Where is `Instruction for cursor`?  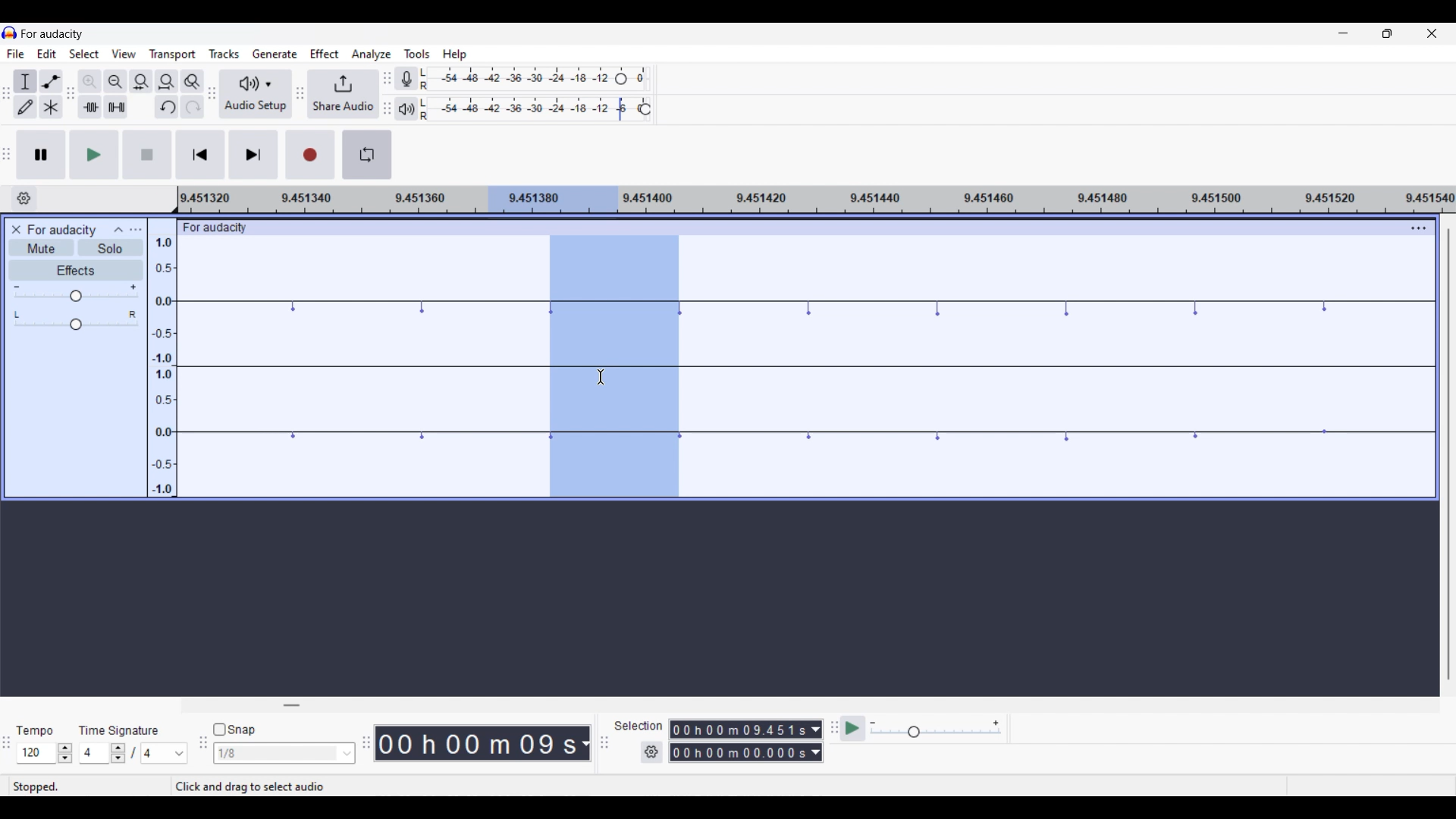
Instruction for cursor is located at coordinates (250, 786).